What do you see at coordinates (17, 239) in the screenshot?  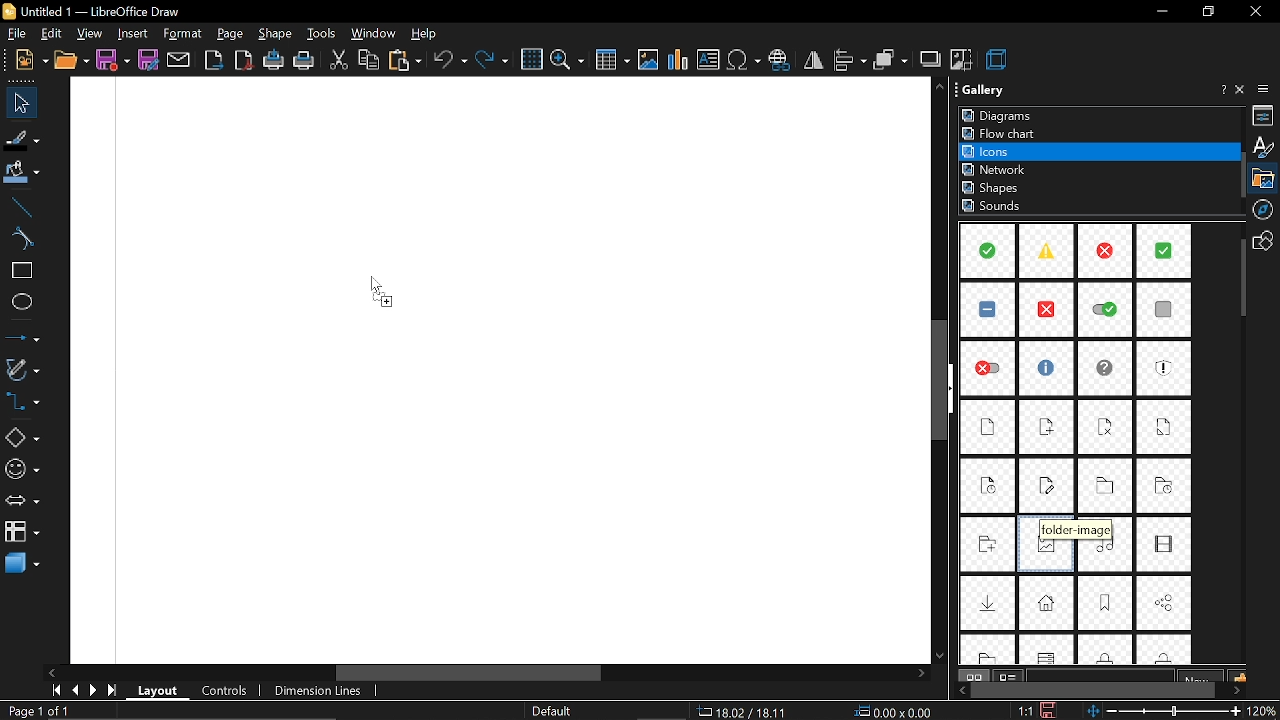 I see `curve` at bounding box center [17, 239].